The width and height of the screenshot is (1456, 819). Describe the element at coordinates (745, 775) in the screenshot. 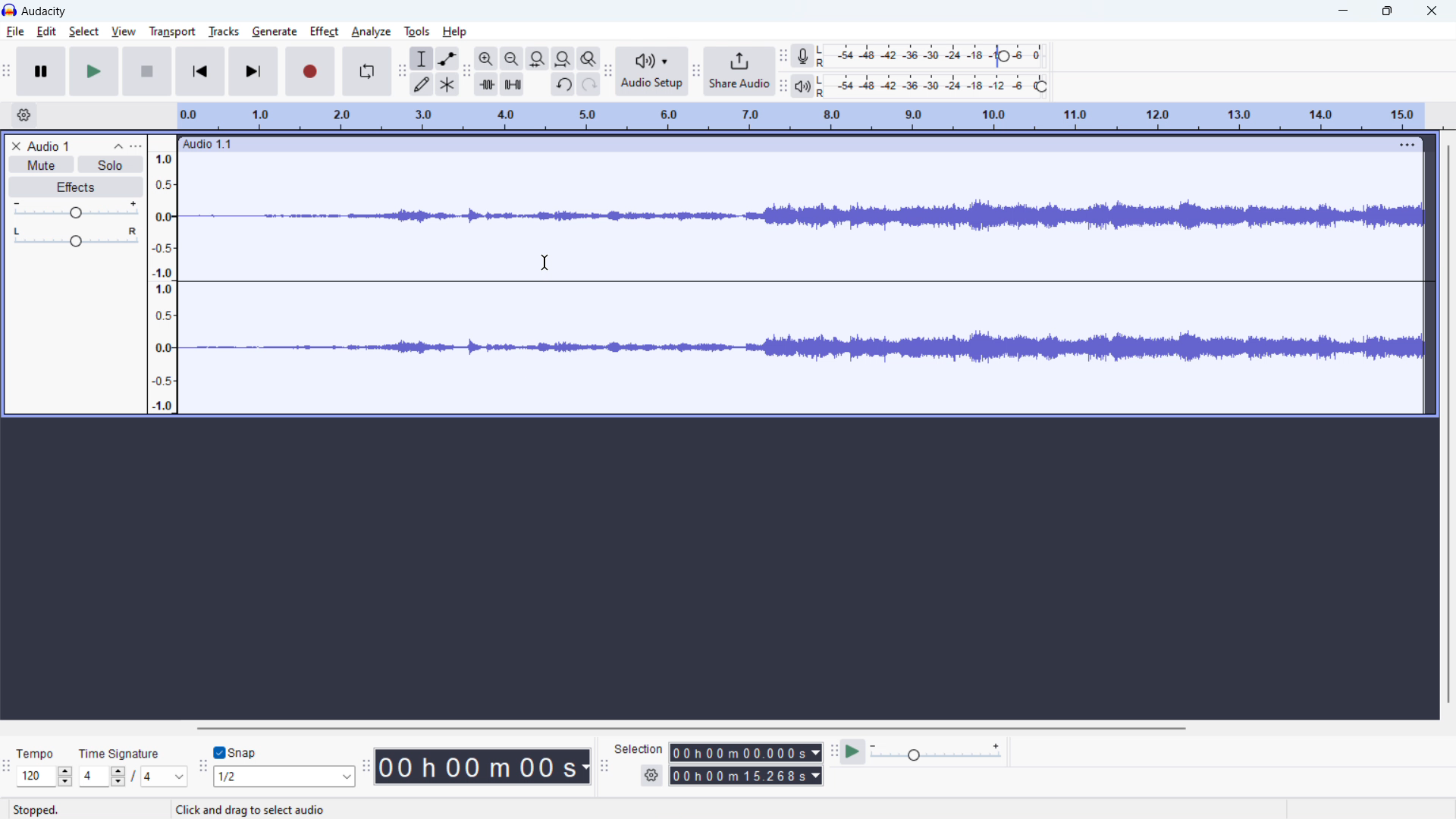

I see `end time` at that location.